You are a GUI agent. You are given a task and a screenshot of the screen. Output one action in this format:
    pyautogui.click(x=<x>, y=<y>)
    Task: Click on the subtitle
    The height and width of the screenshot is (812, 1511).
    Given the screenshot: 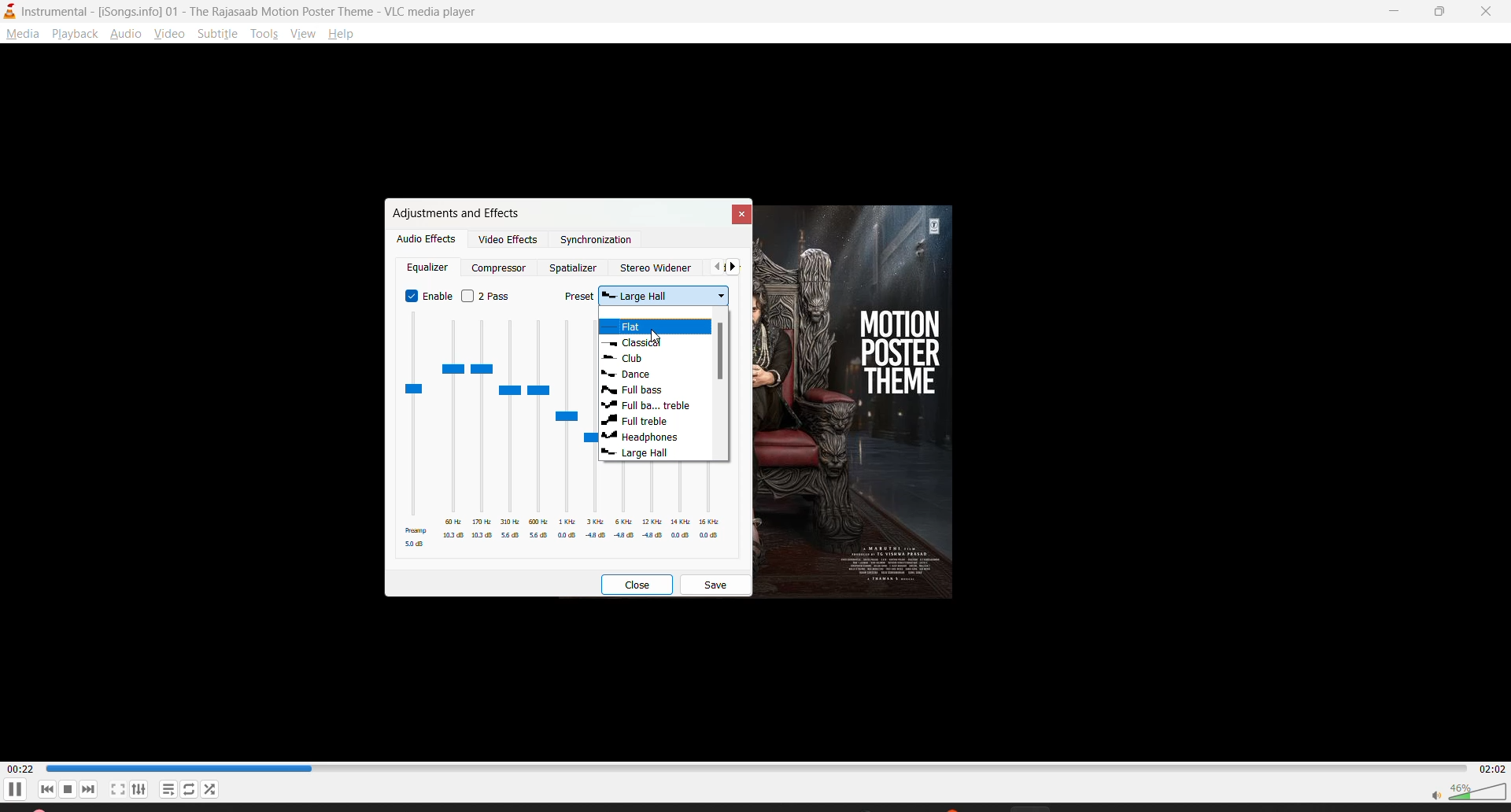 What is the action you would take?
    pyautogui.click(x=220, y=37)
    